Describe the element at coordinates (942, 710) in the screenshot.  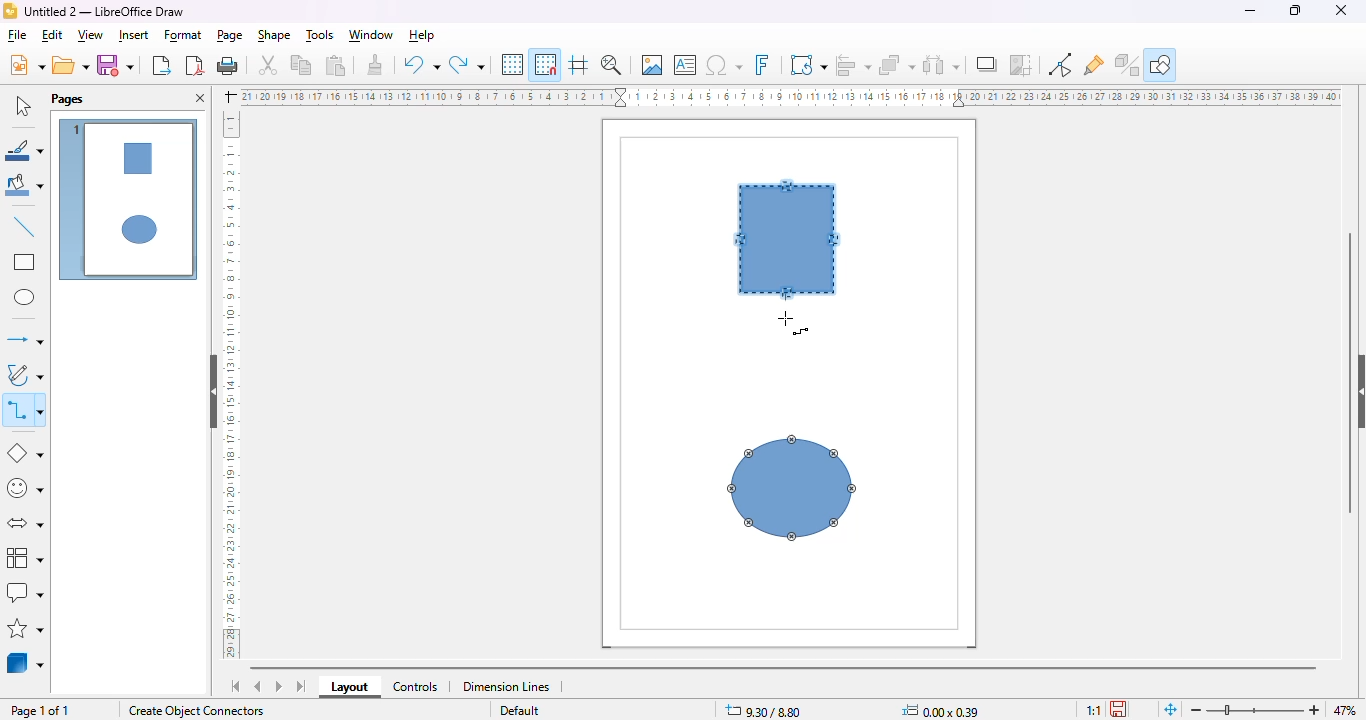
I see `0.00 x 0.39` at that location.